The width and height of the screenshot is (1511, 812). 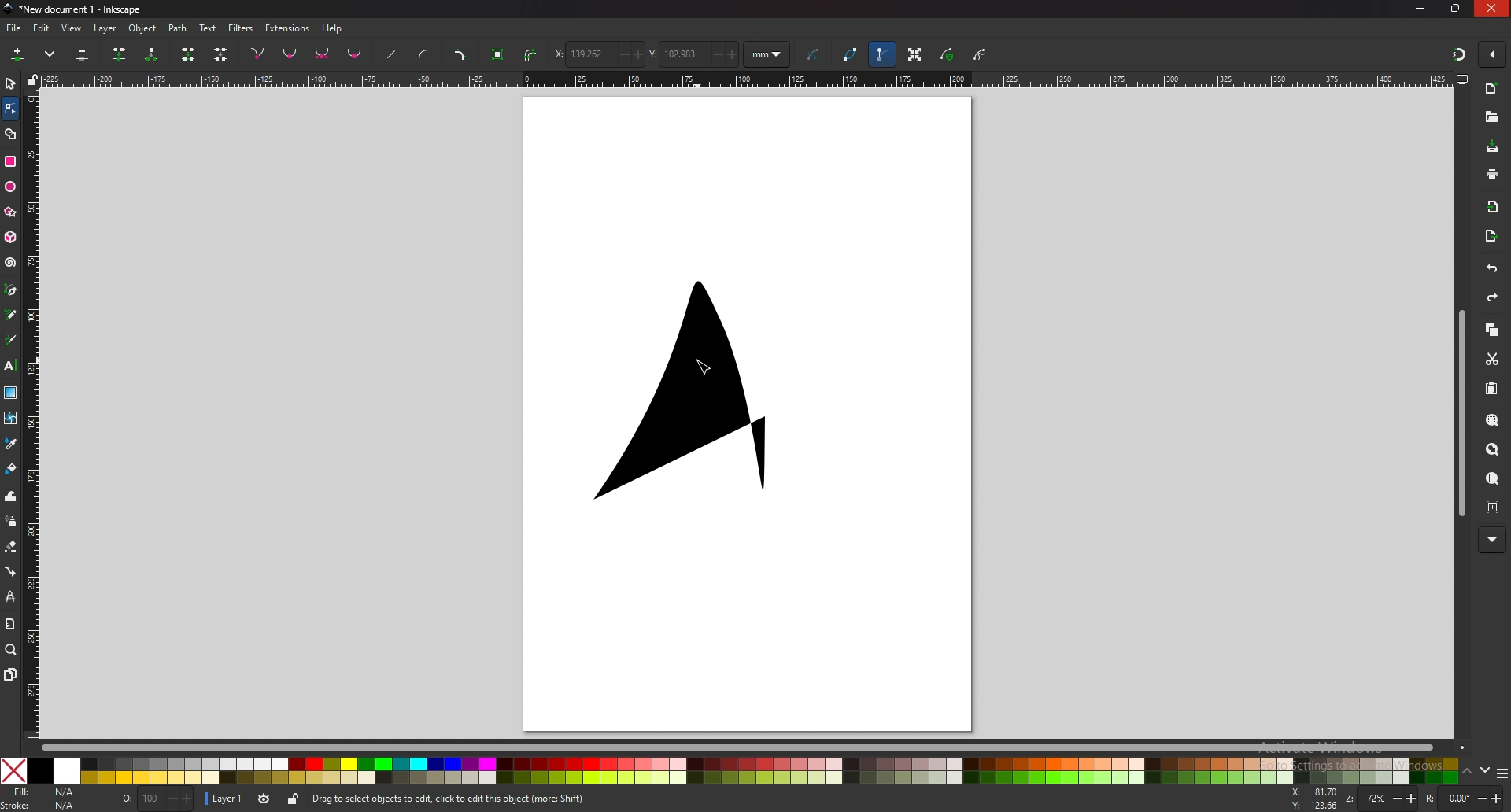 What do you see at coordinates (1492, 297) in the screenshot?
I see `redo` at bounding box center [1492, 297].